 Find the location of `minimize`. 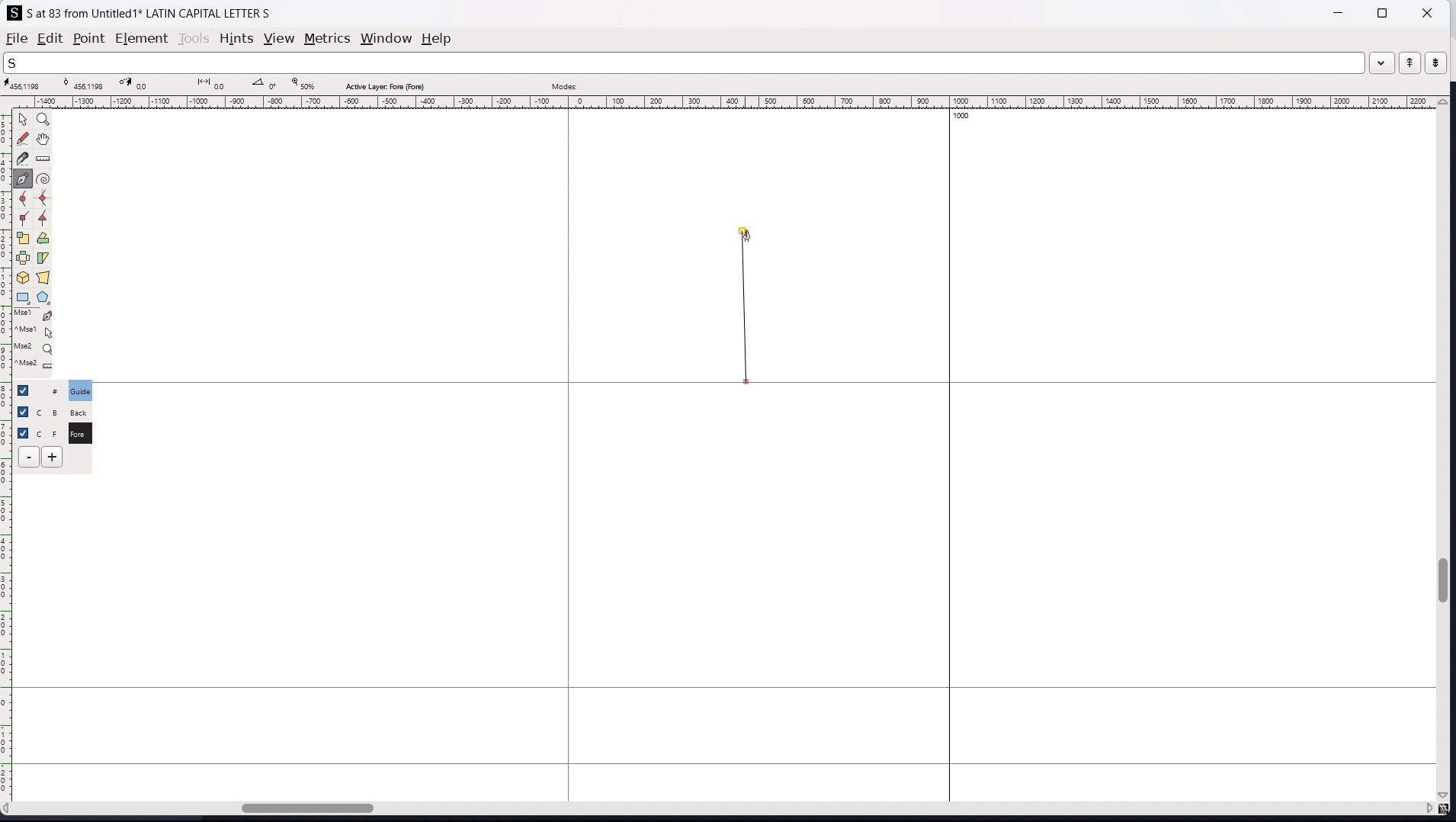

minimize is located at coordinates (1340, 11).